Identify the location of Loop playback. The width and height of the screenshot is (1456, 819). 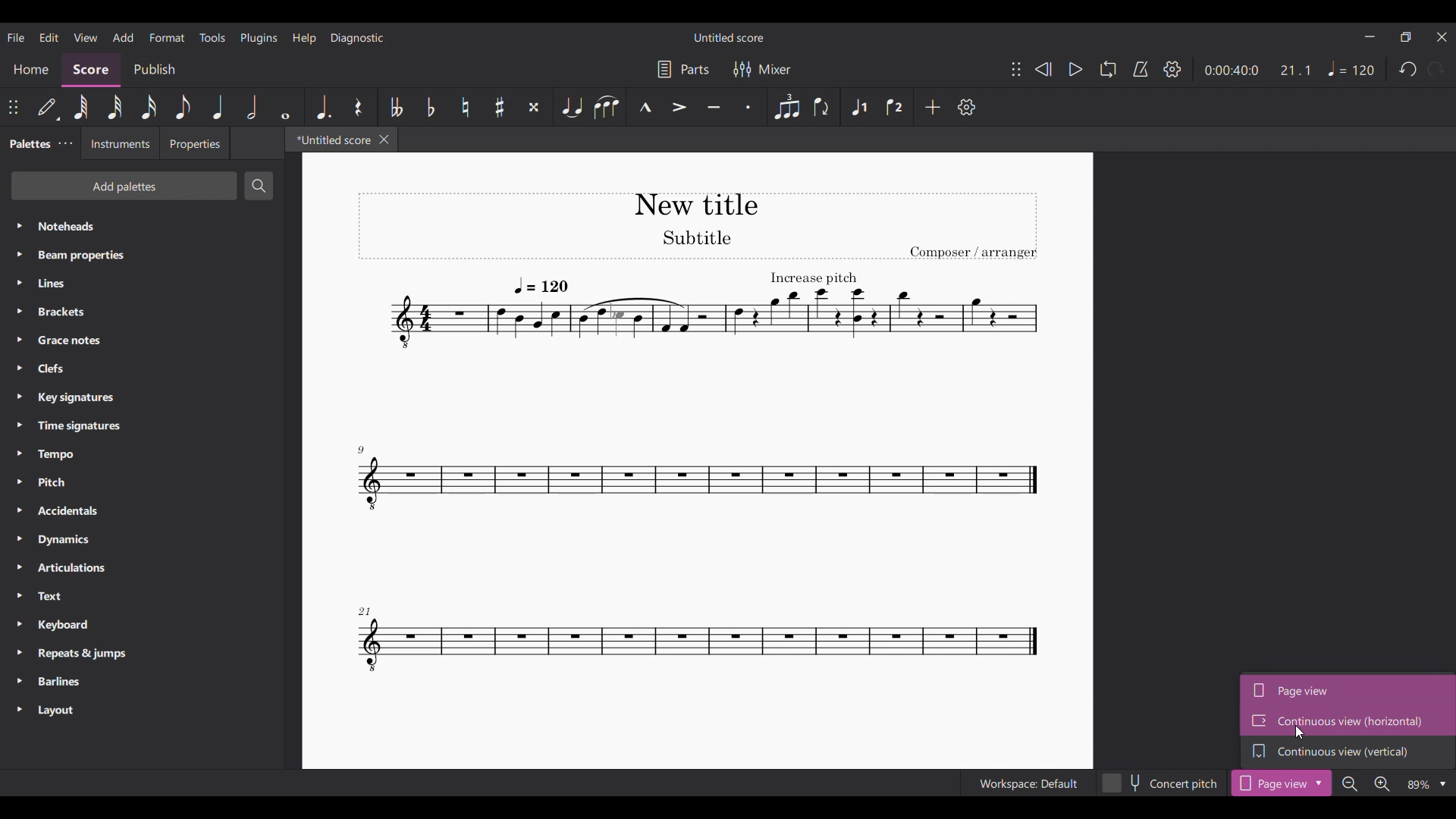
(1108, 69).